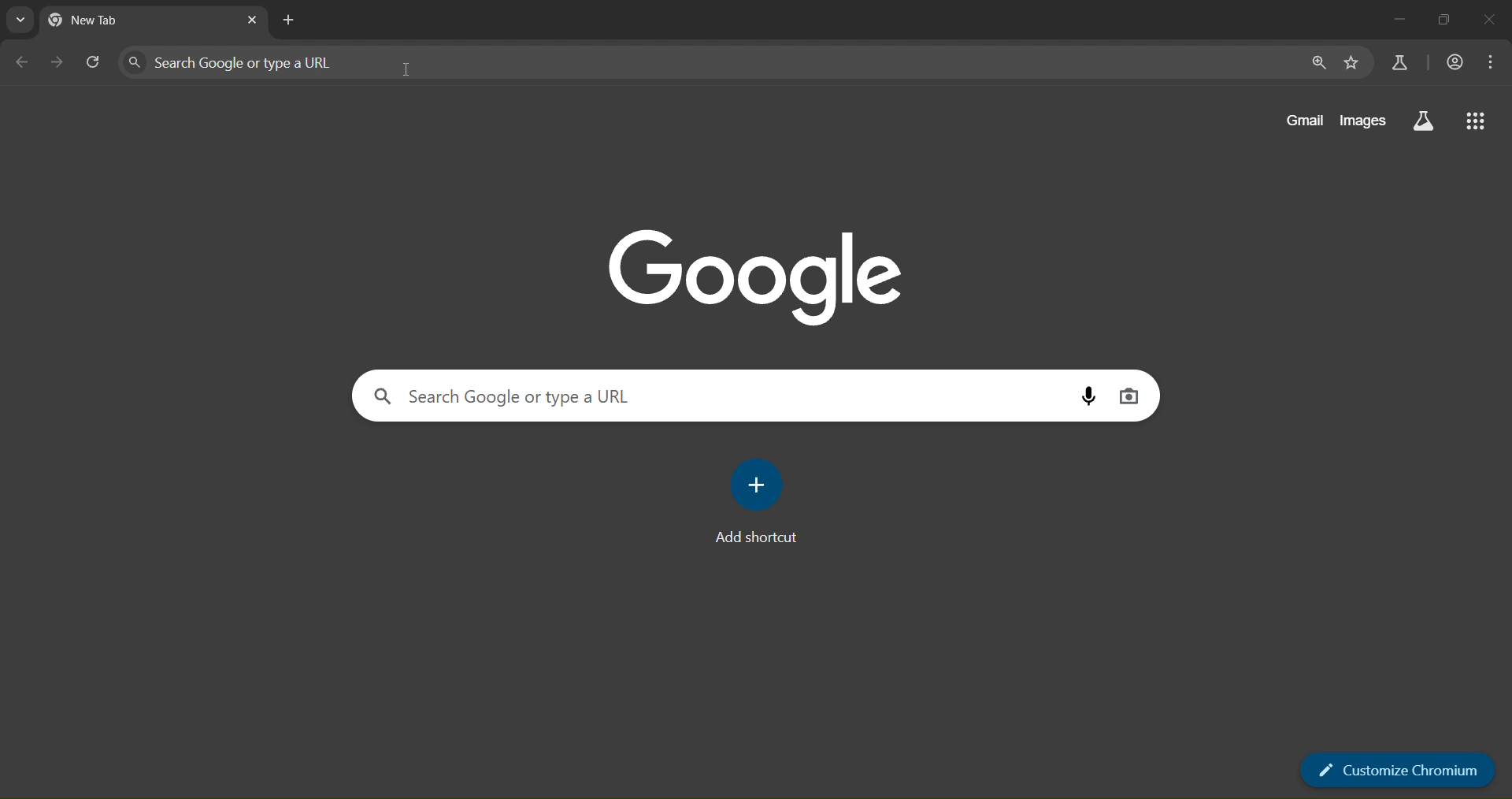 The height and width of the screenshot is (799, 1512). I want to click on image, so click(762, 277).